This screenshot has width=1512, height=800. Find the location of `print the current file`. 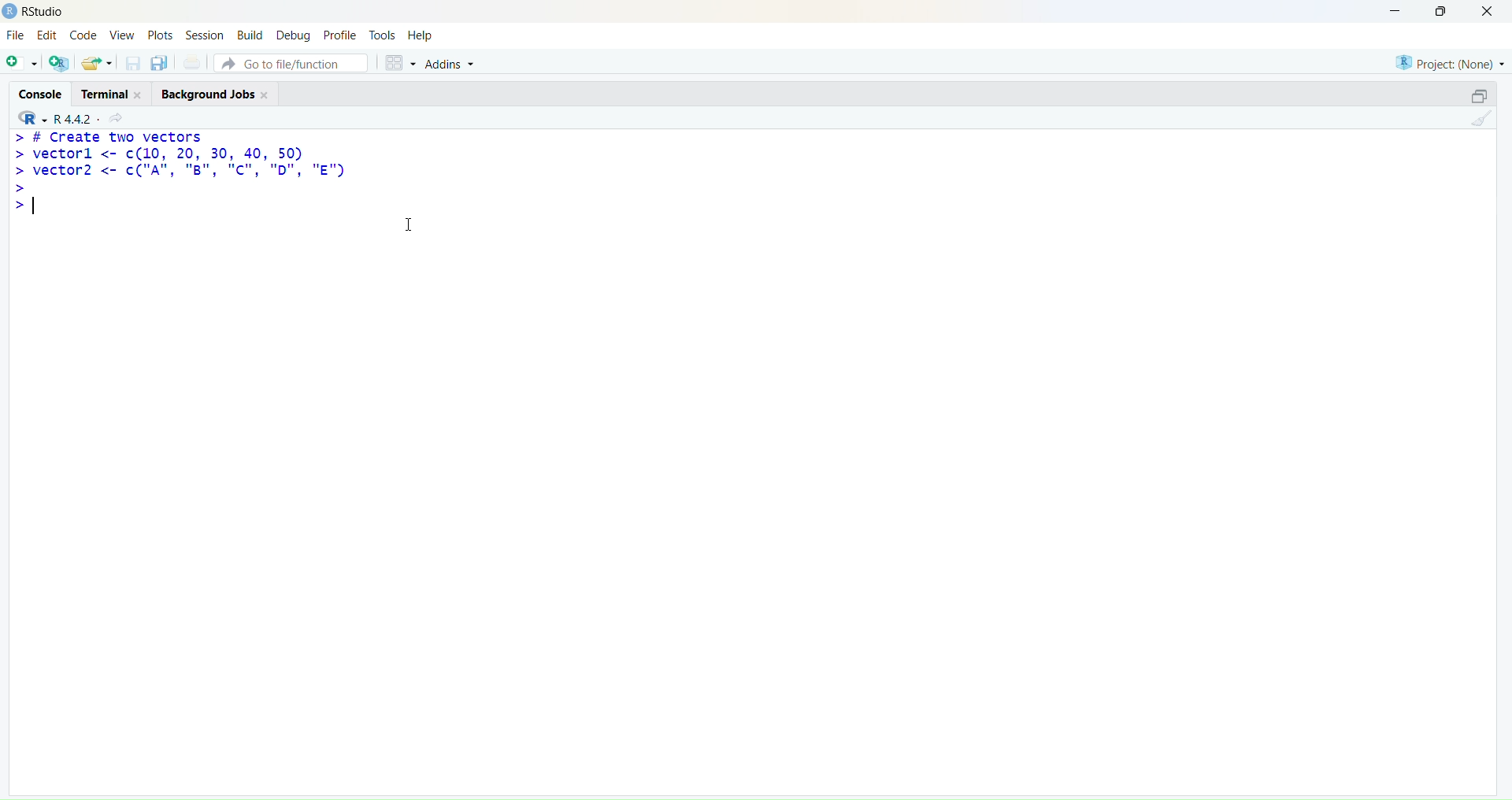

print the current file is located at coordinates (193, 62).